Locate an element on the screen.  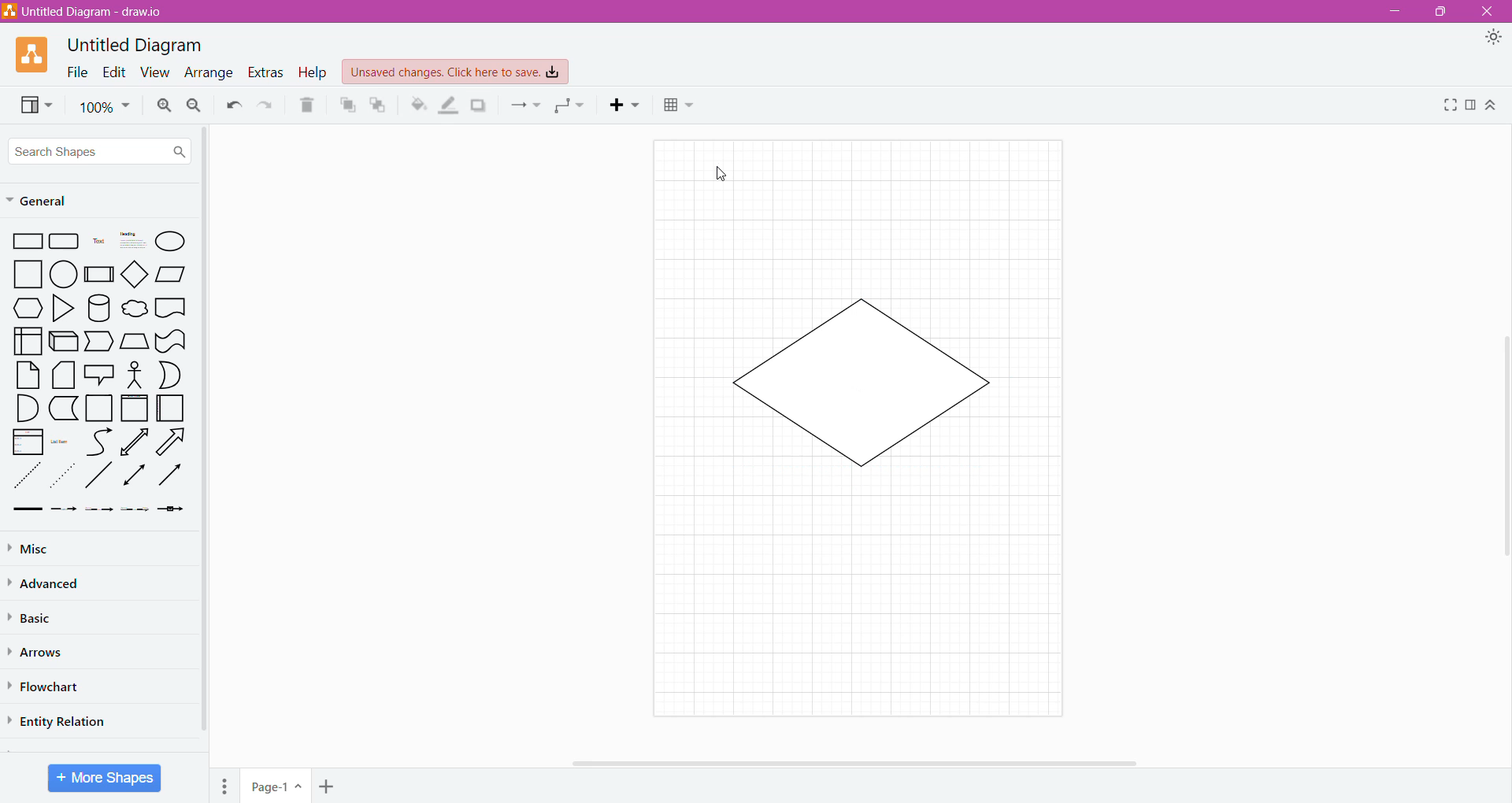
Undo is located at coordinates (232, 105).